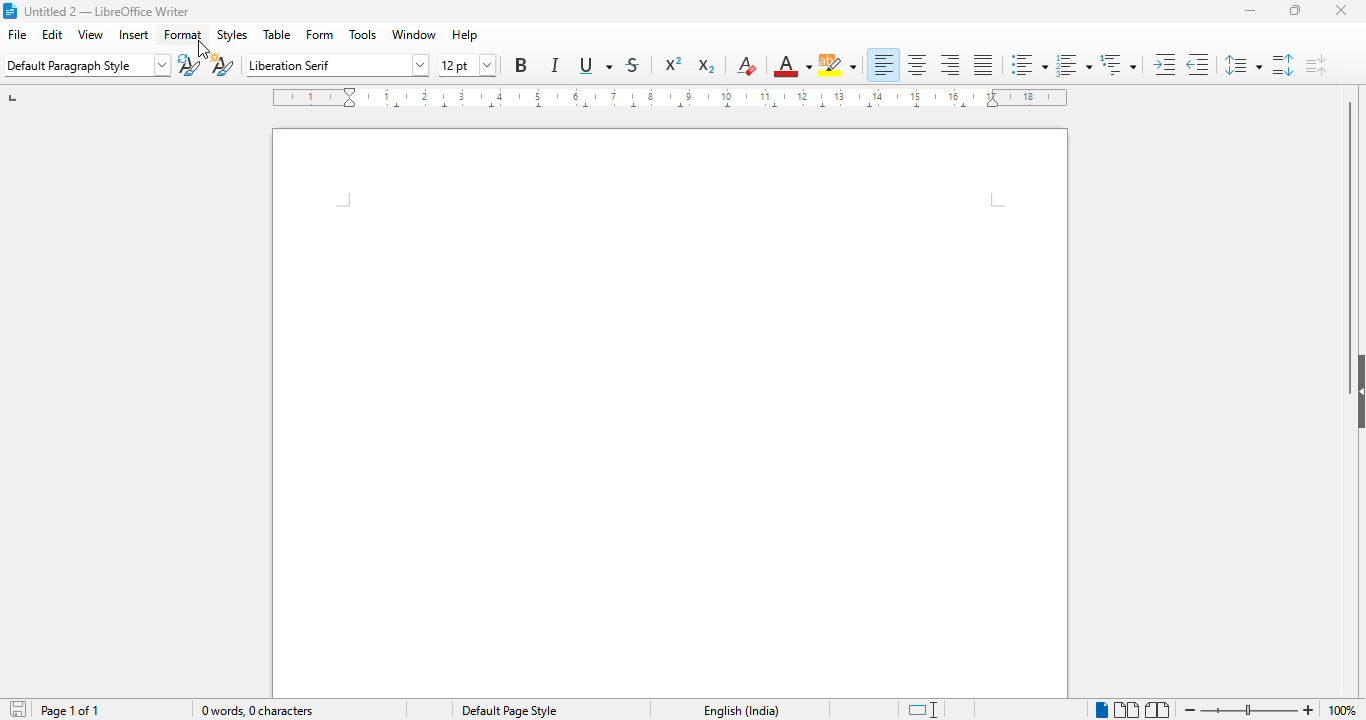 The image size is (1366, 720). I want to click on standard selection, so click(922, 710).